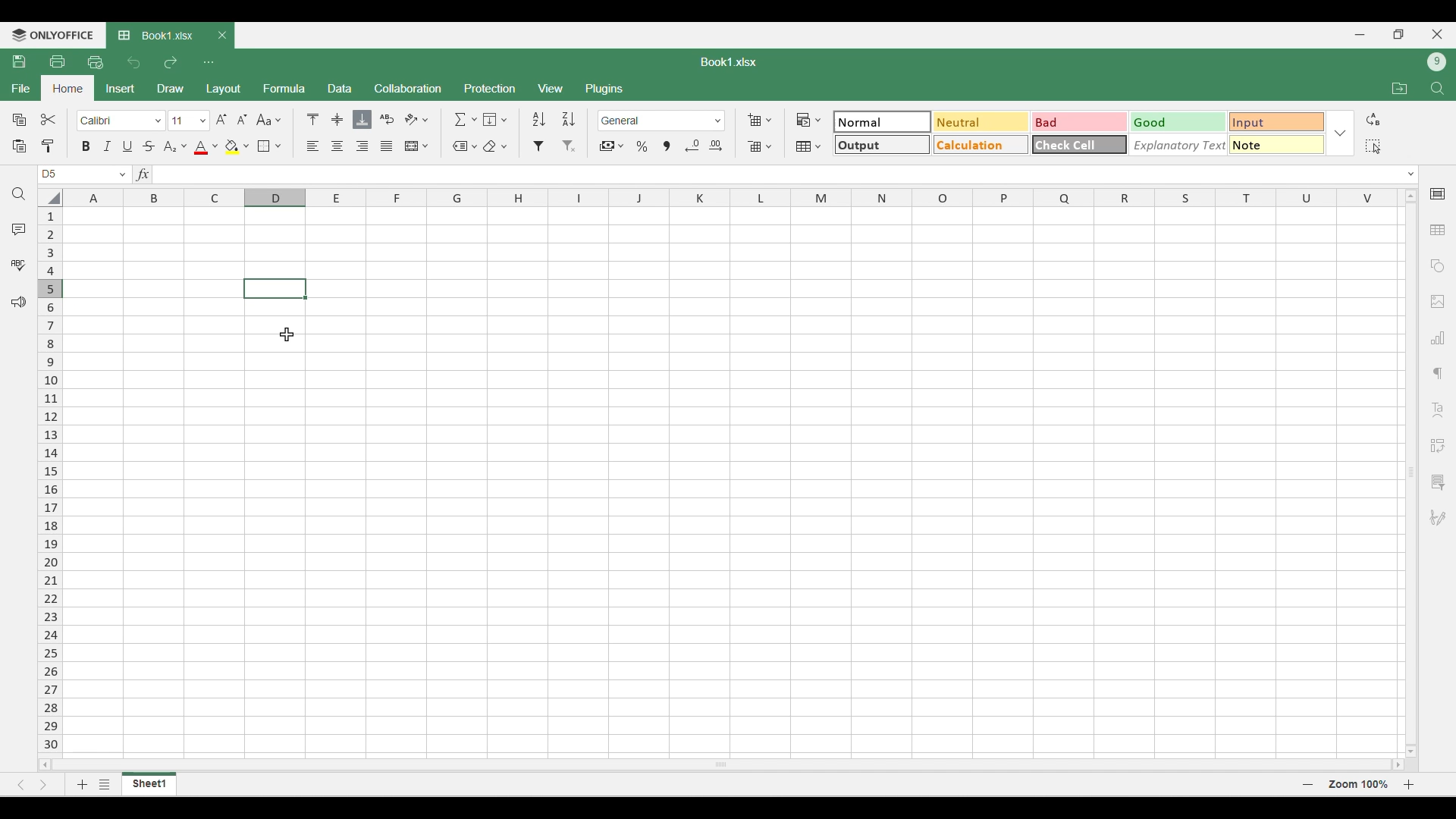 This screenshot has width=1456, height=819. I want to click on Wrap text, so click(388, 119).